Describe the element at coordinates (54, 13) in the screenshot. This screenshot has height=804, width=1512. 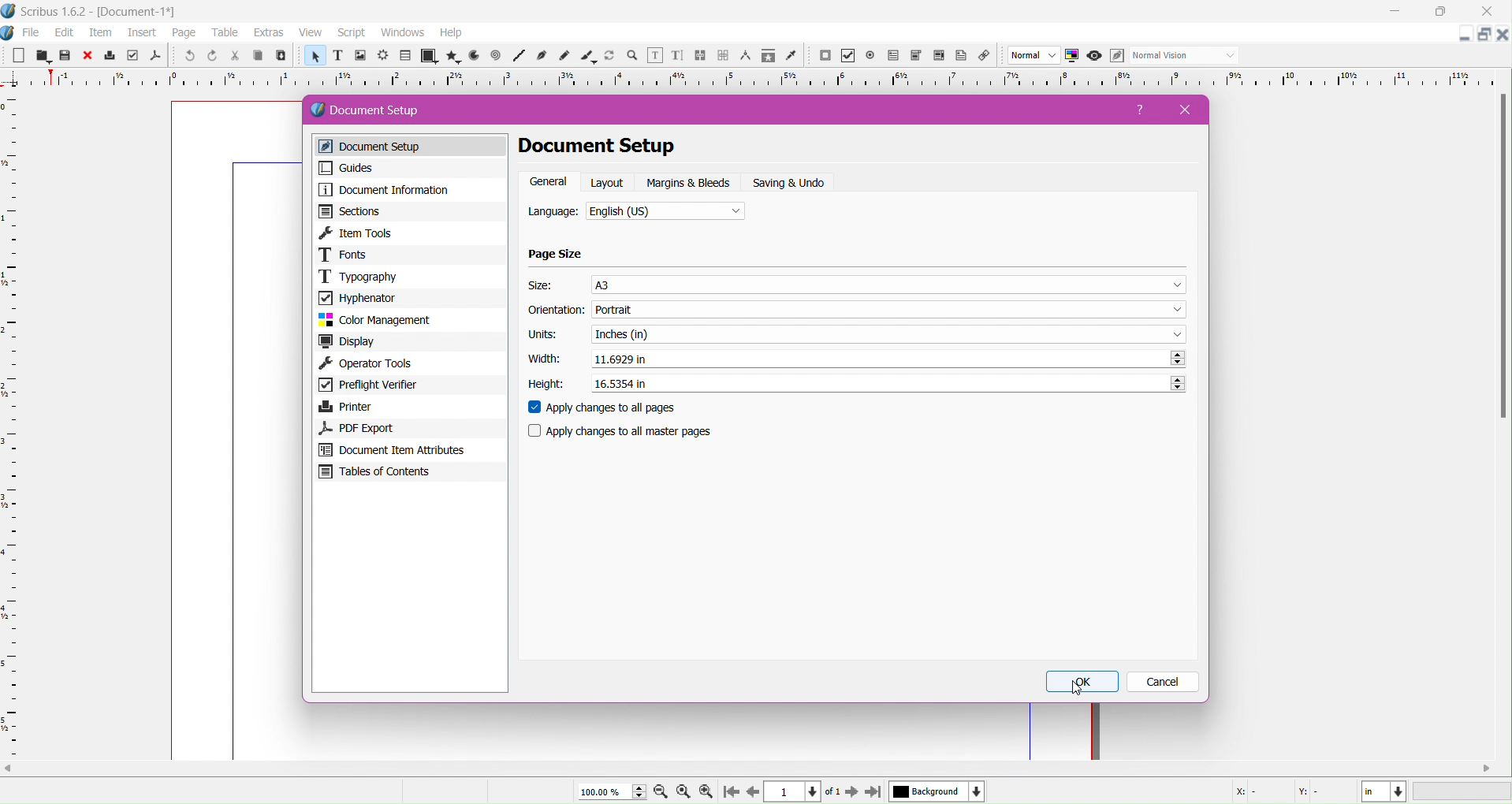
I see `app name` at that location.